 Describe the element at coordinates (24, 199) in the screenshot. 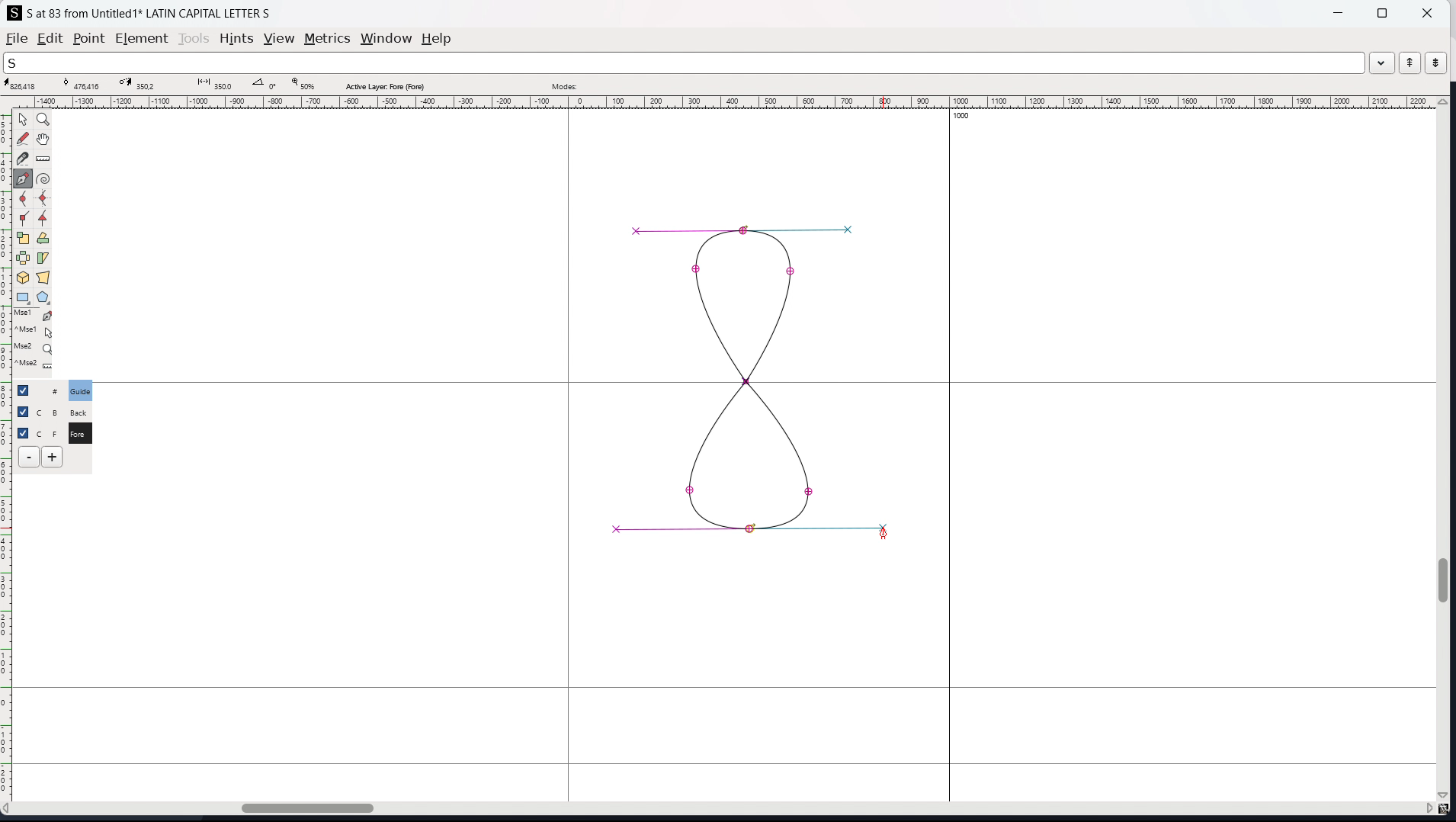

I see `add a curve point` at that location.